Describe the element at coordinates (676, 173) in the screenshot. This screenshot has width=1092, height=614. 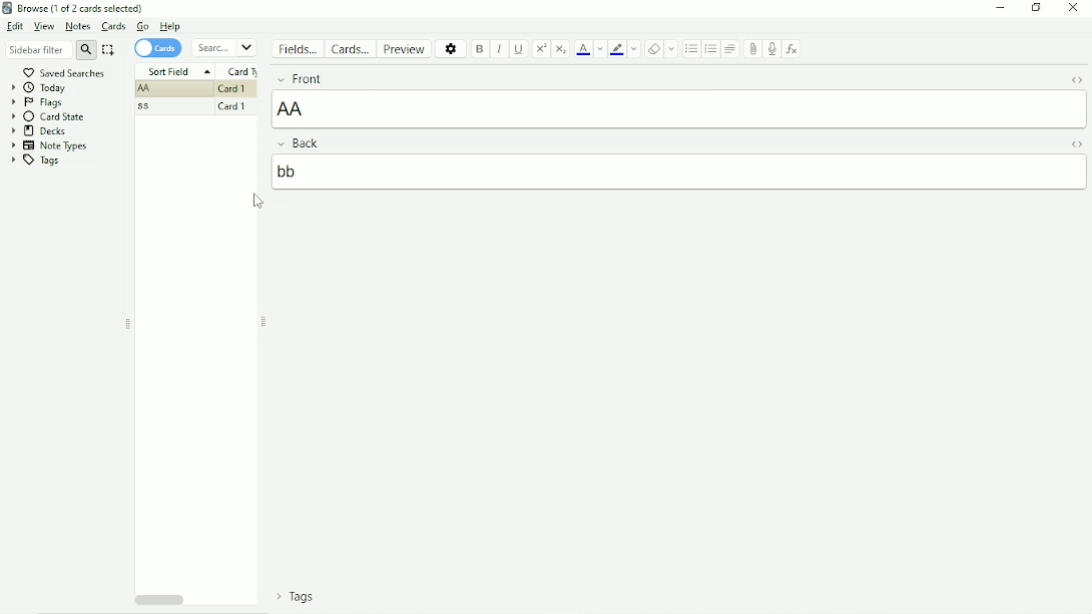
I see `bb` at that location.